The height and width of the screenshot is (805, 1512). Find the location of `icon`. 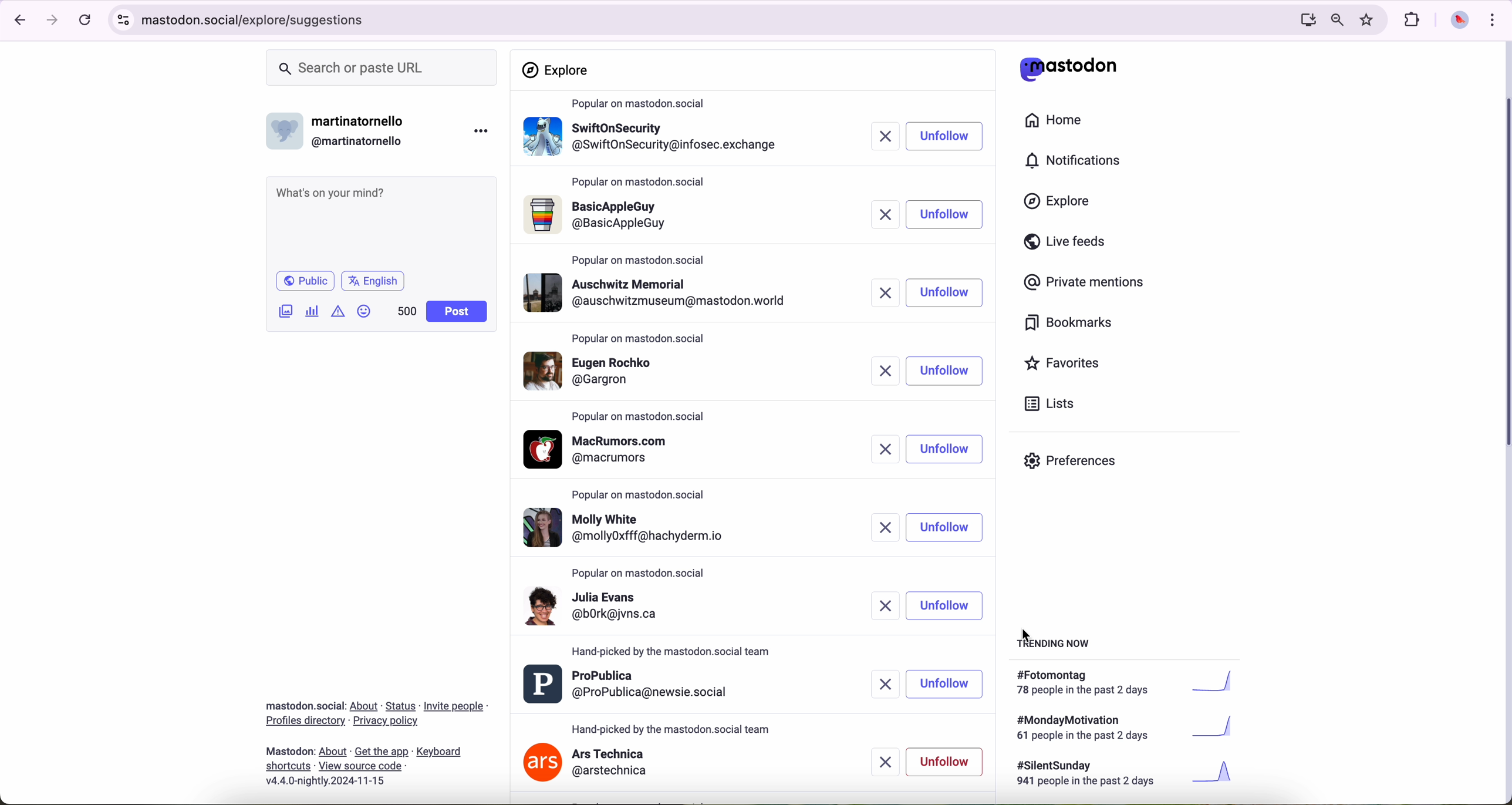

icon is located at coordinates (339, 311).